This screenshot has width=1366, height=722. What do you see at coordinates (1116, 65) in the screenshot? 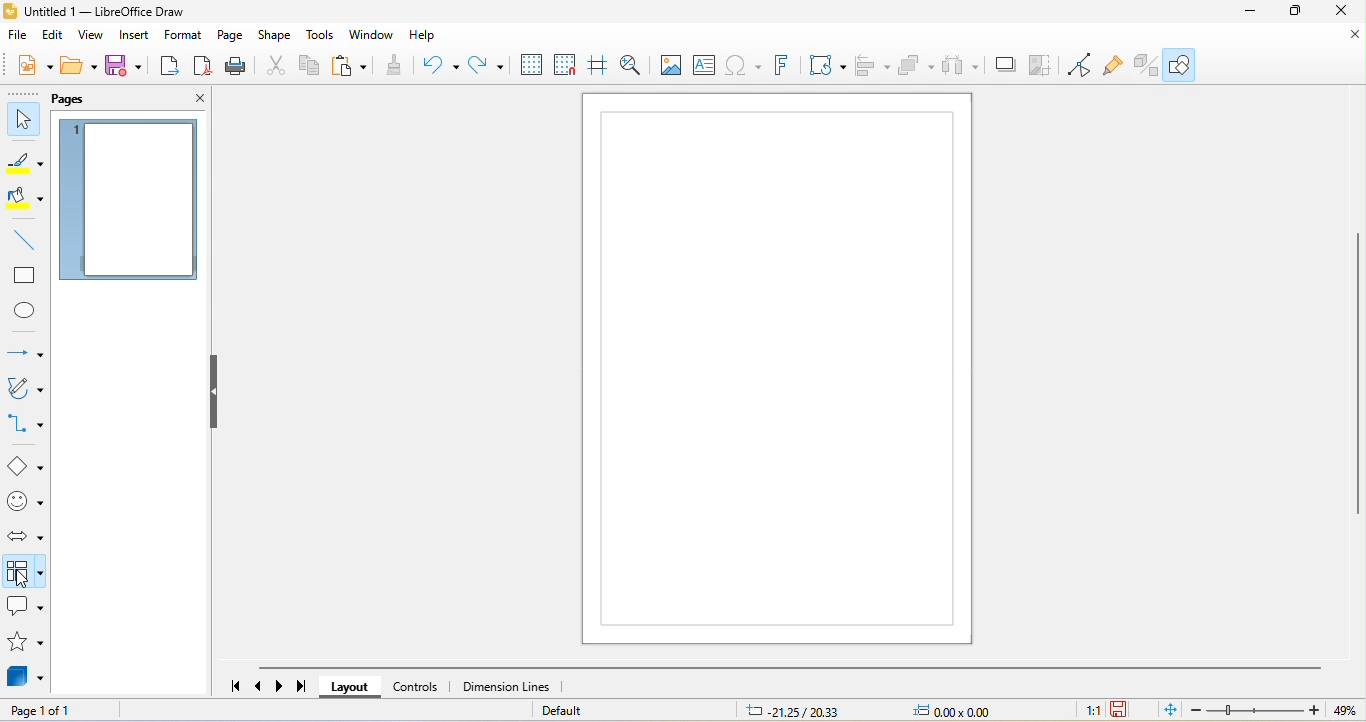
I see `show gluepoint function` at bounding box center [1116, 65].